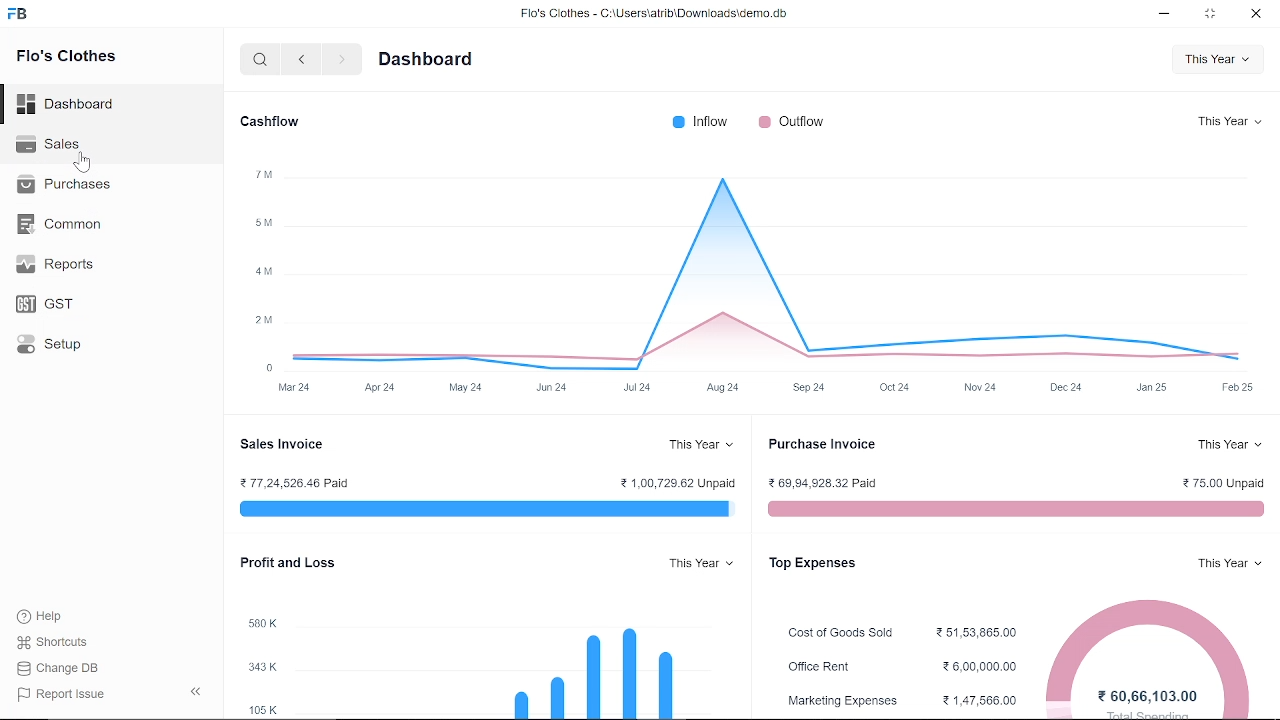  I want to click on 580K, so click(257, 623).